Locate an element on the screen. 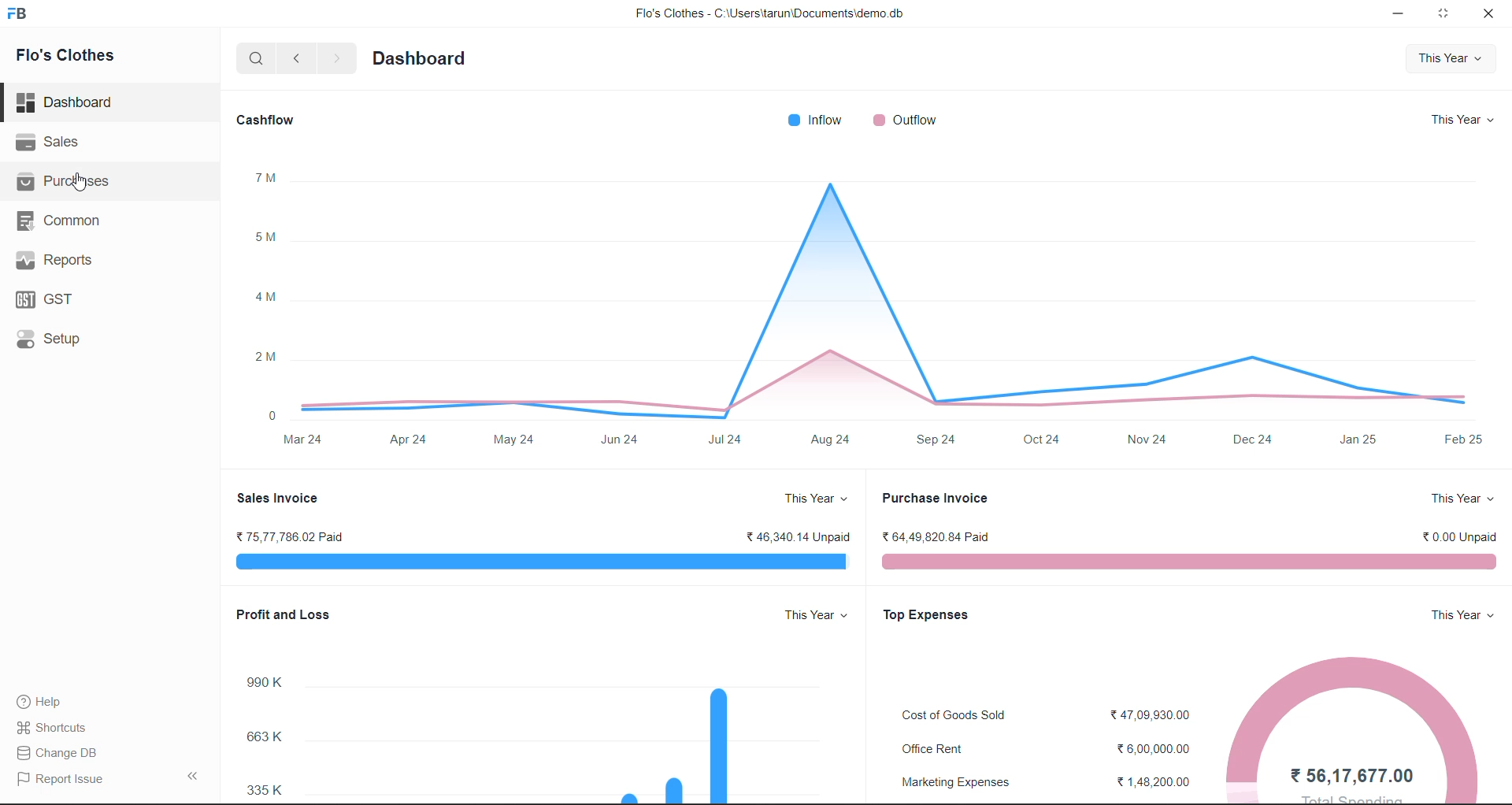 Image resolution: width=1512 pixels, height=805 pixels. This Year is located at coordinates (1453, 61).